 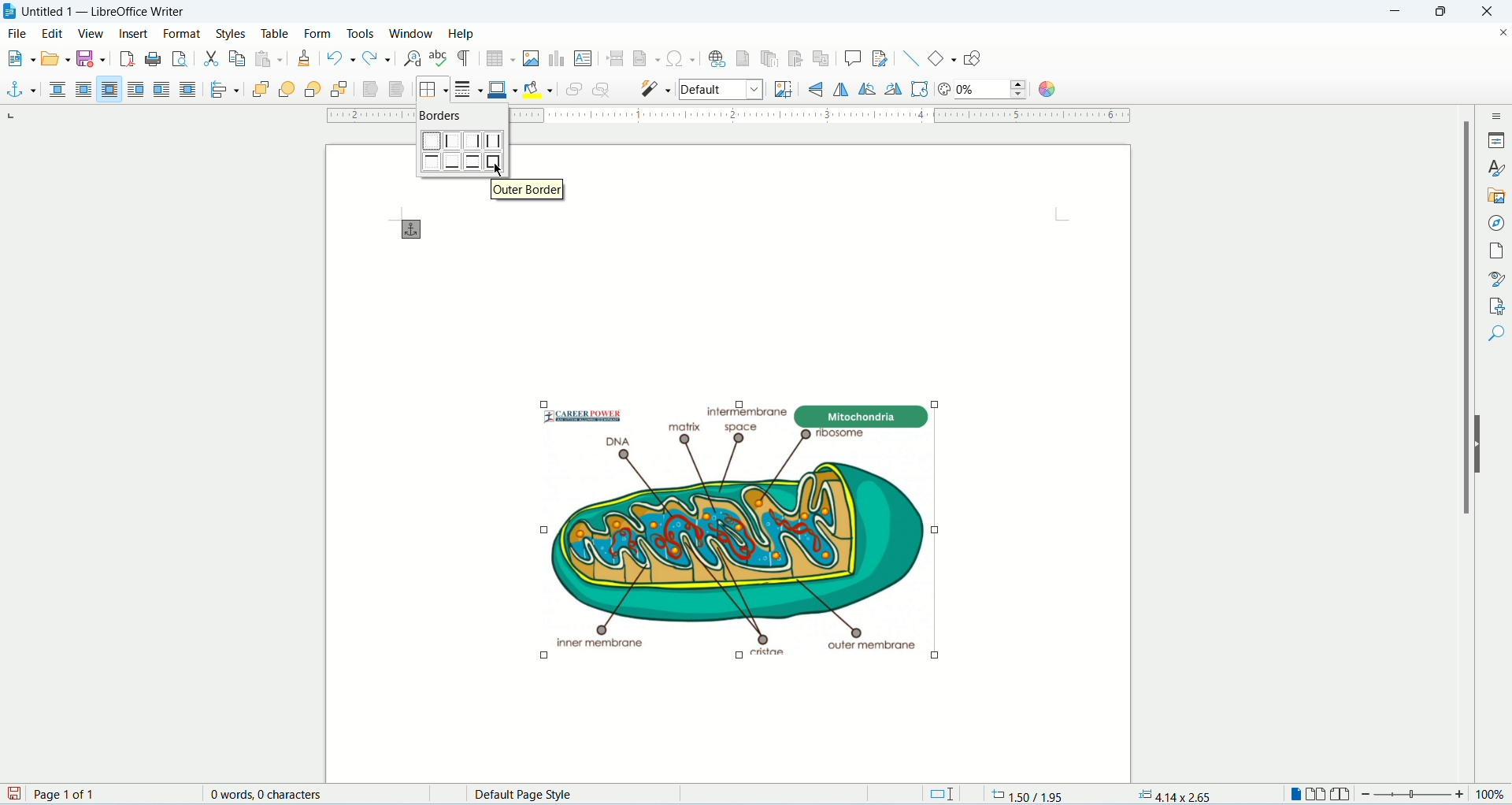 What do you see at coordinates (615, 58) in the screenshot?
I see `insert page break` at bounding box center [615, 58].